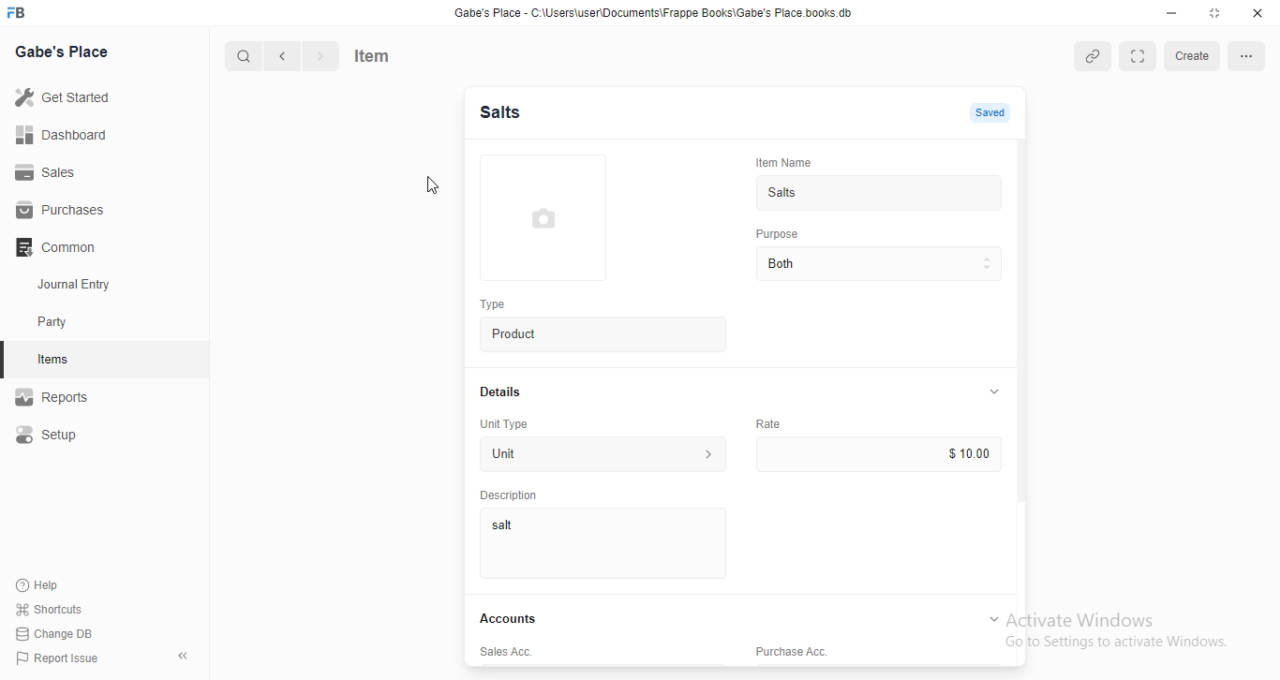 The width and height of the screenshot is (1280, 680). What do you see at coordinates (58, 608) in the screenshot?
I see `‘Shortcuts` at bounding box center [58, 608].